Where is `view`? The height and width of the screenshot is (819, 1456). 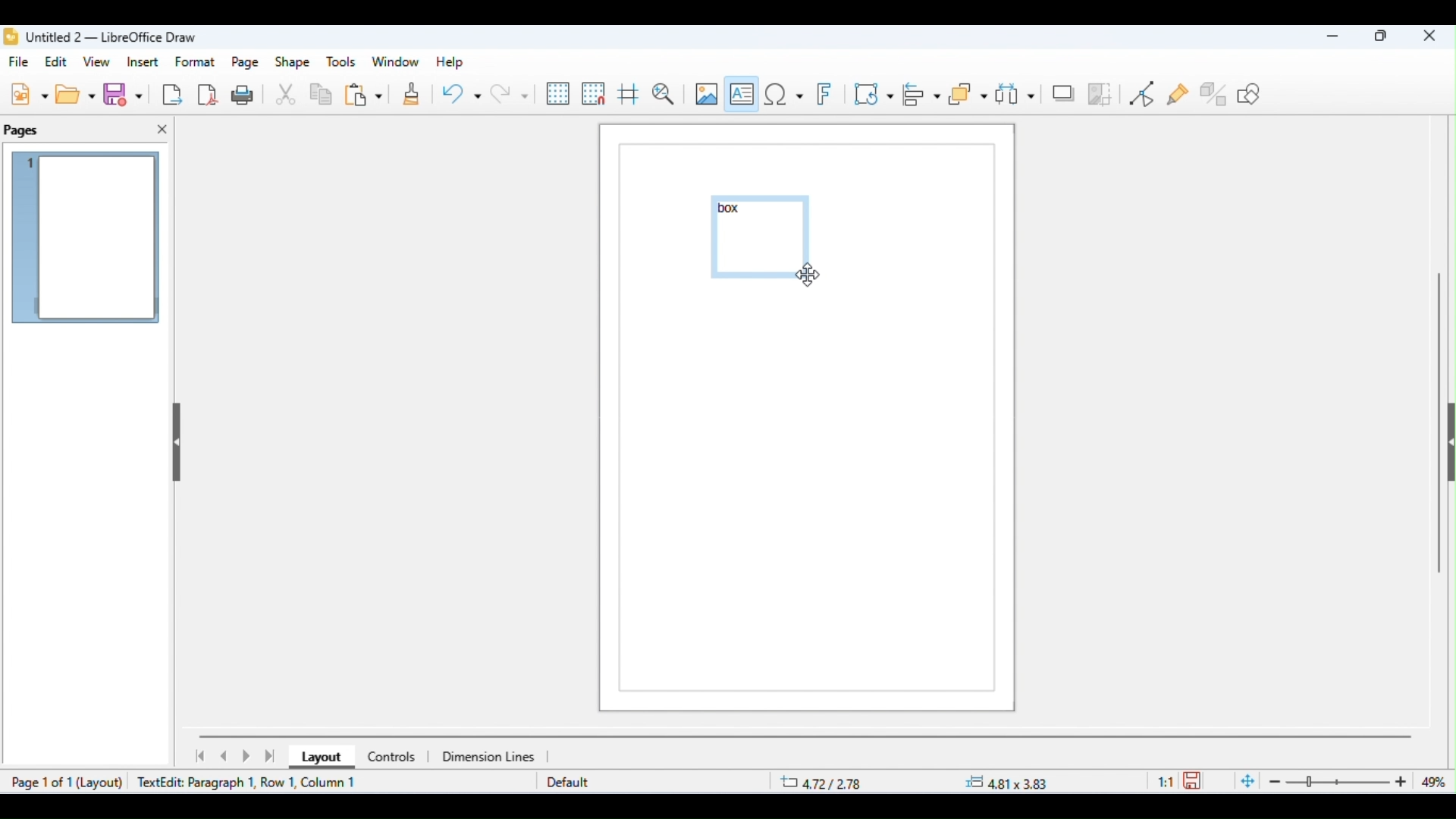 view is located at coordinates (99, 63).